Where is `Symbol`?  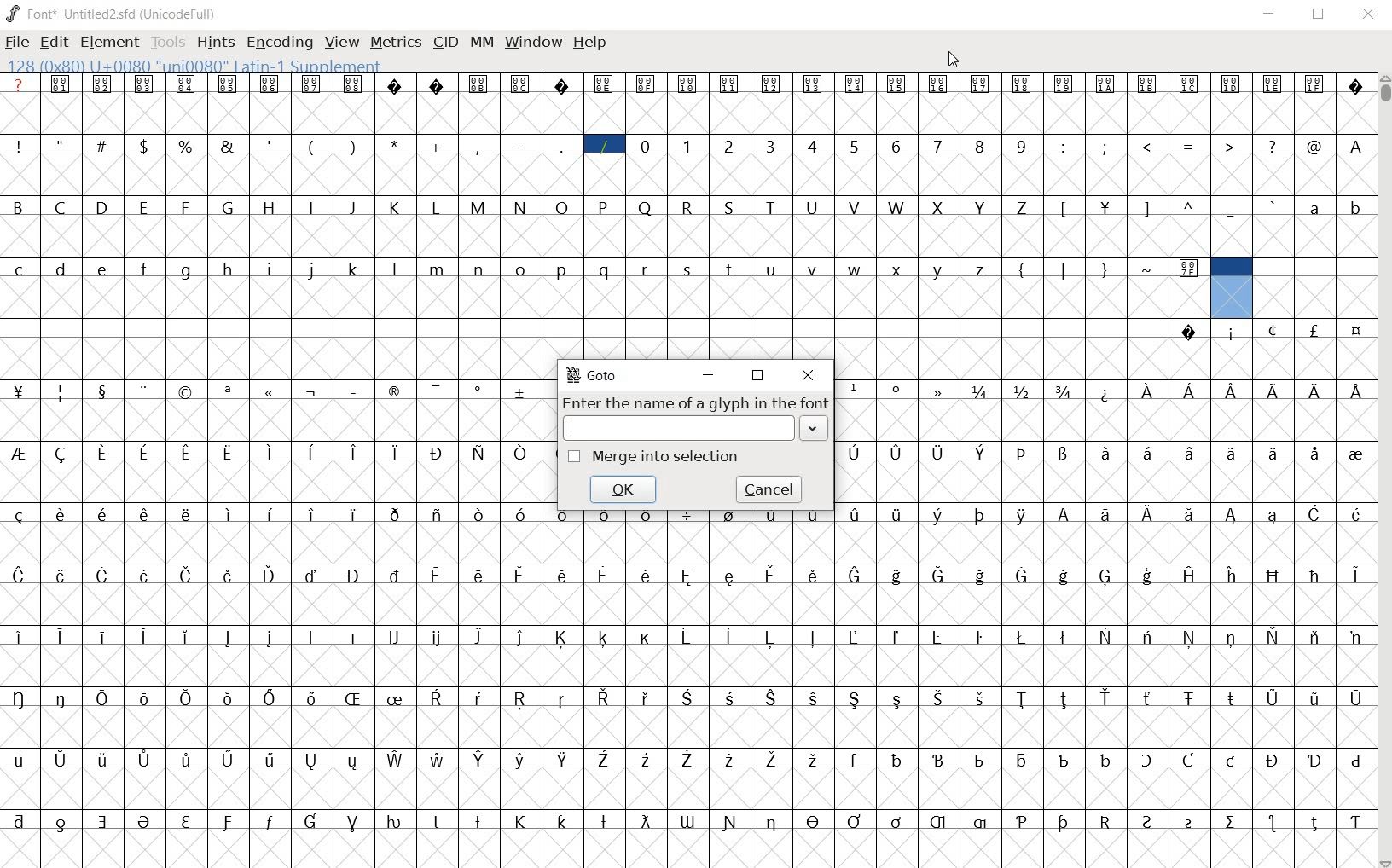 Symbol is located at coordinates (855, 389).